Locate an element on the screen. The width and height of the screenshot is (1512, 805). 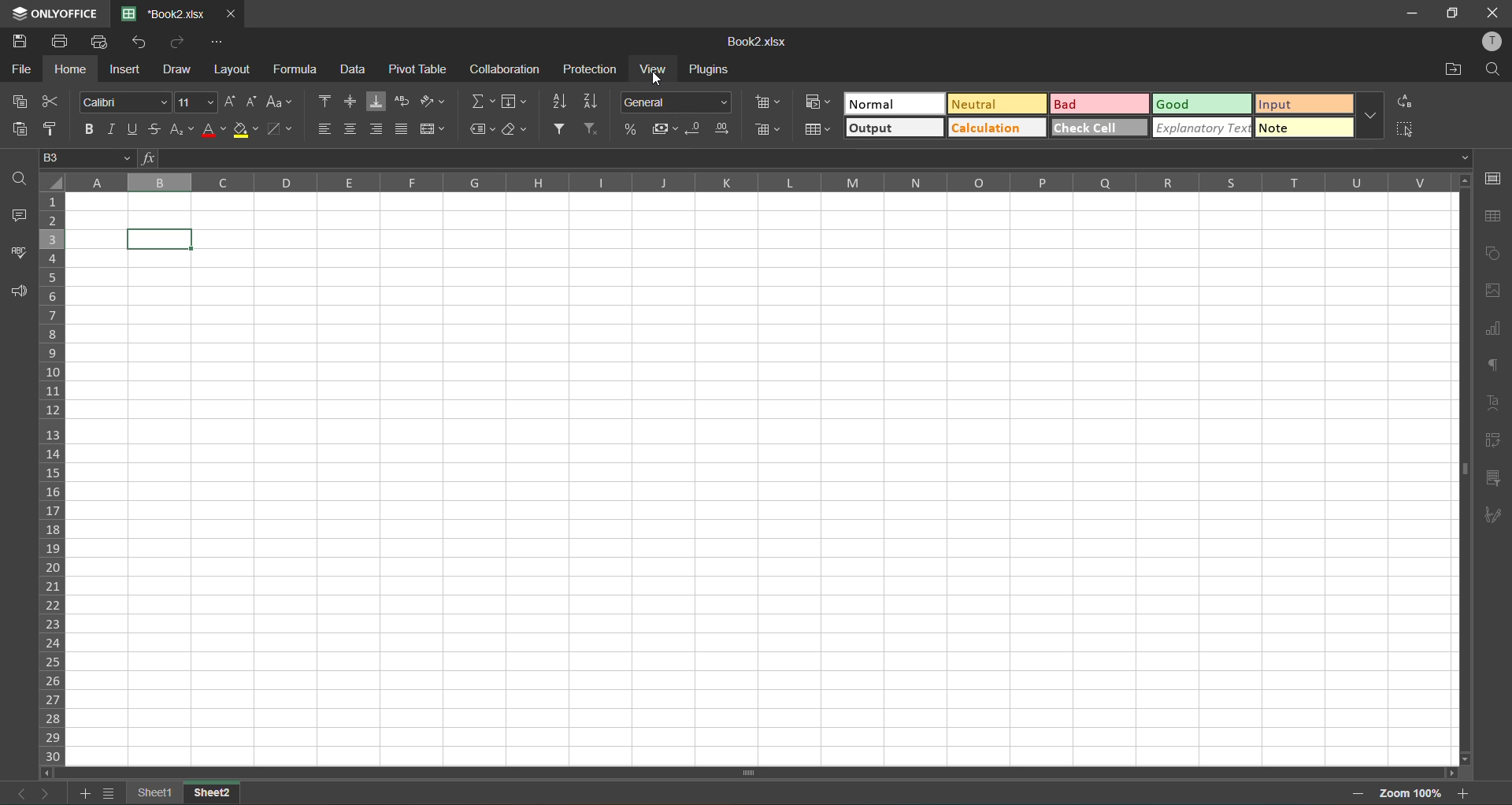
input is located at coordinates (1306, 103).